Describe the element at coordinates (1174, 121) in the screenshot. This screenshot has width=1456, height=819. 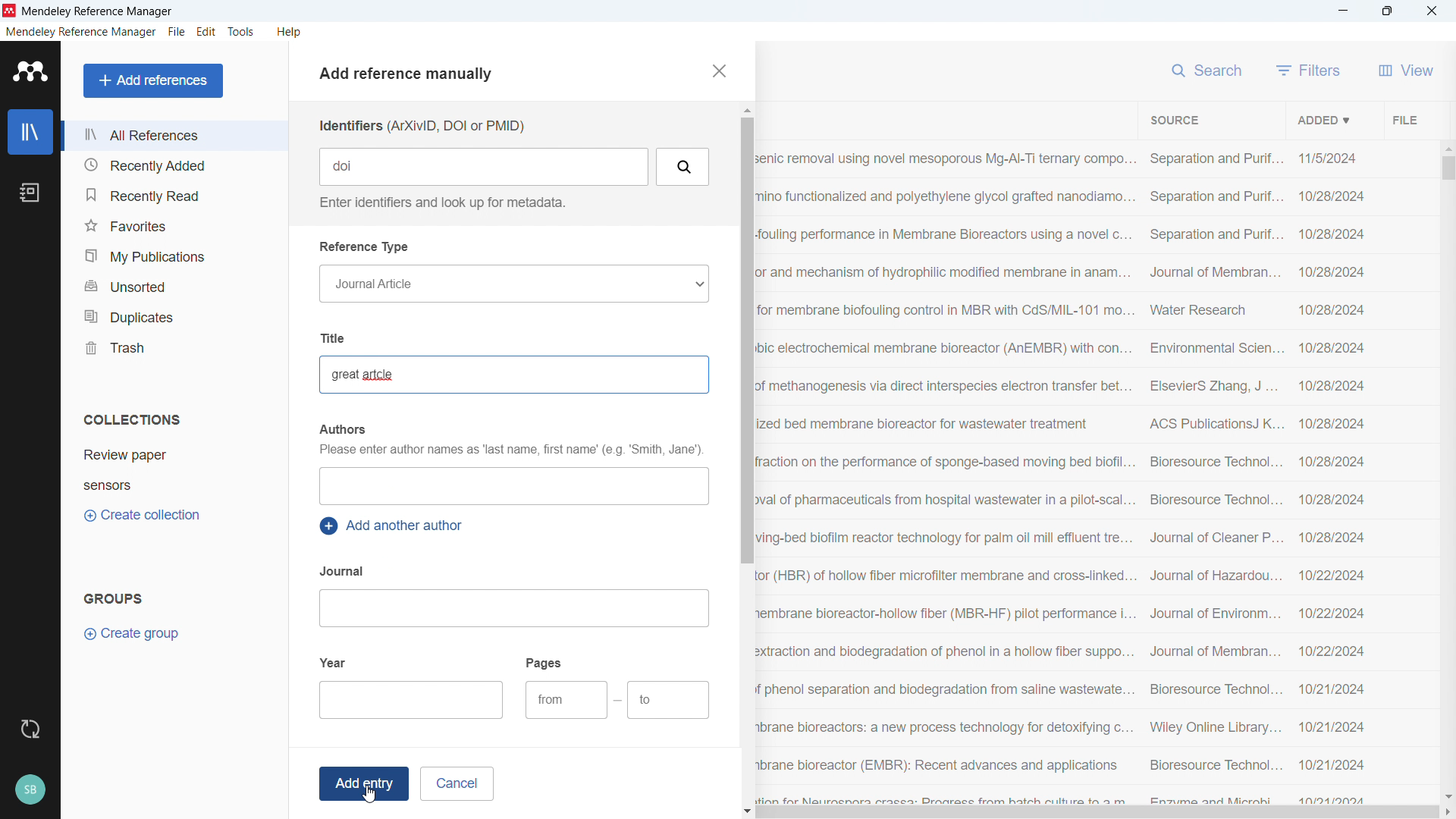
I see `Sort by source ` at that location.